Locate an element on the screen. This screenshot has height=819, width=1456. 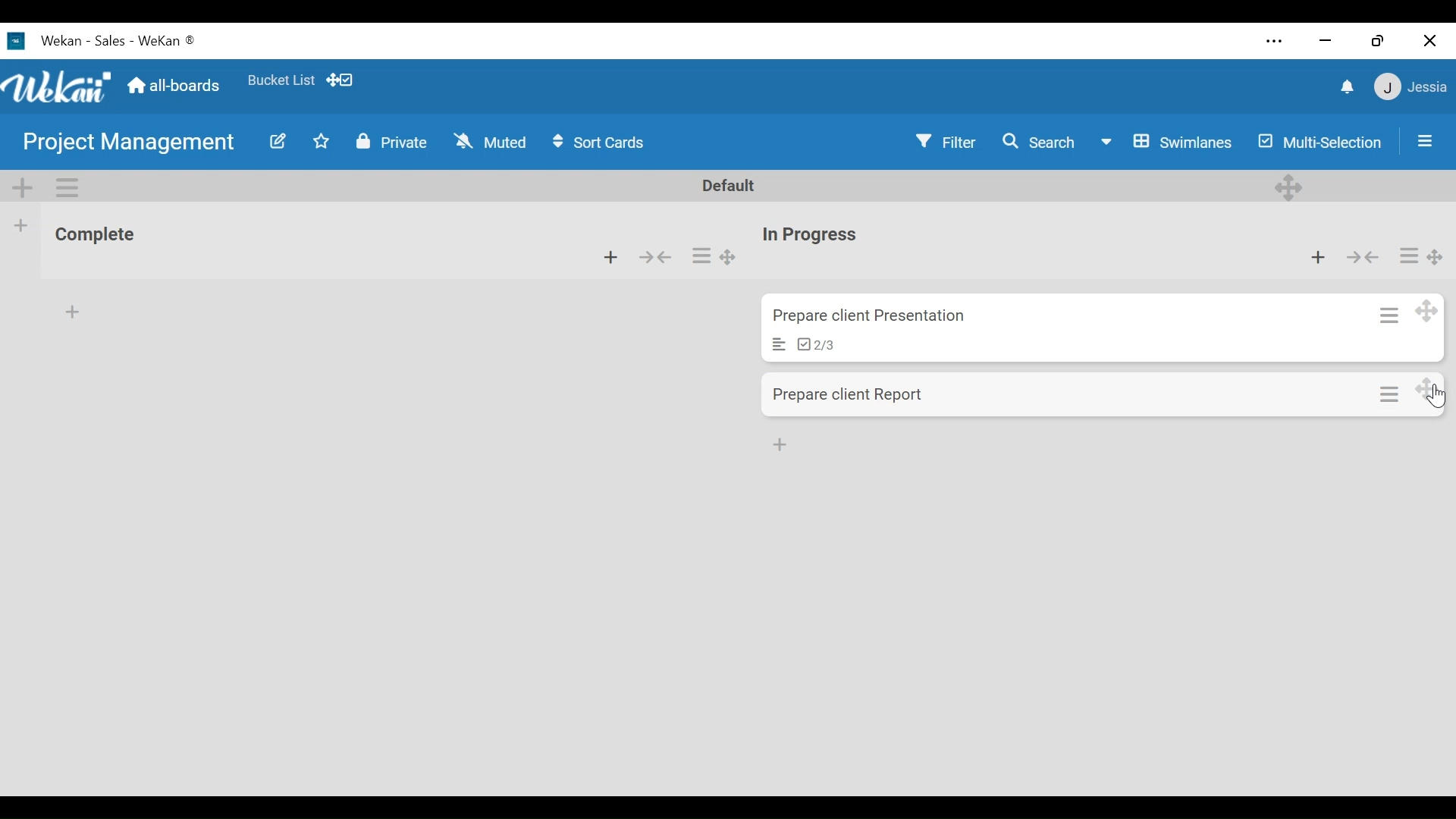
all boards is located at coordinates (175, 85).